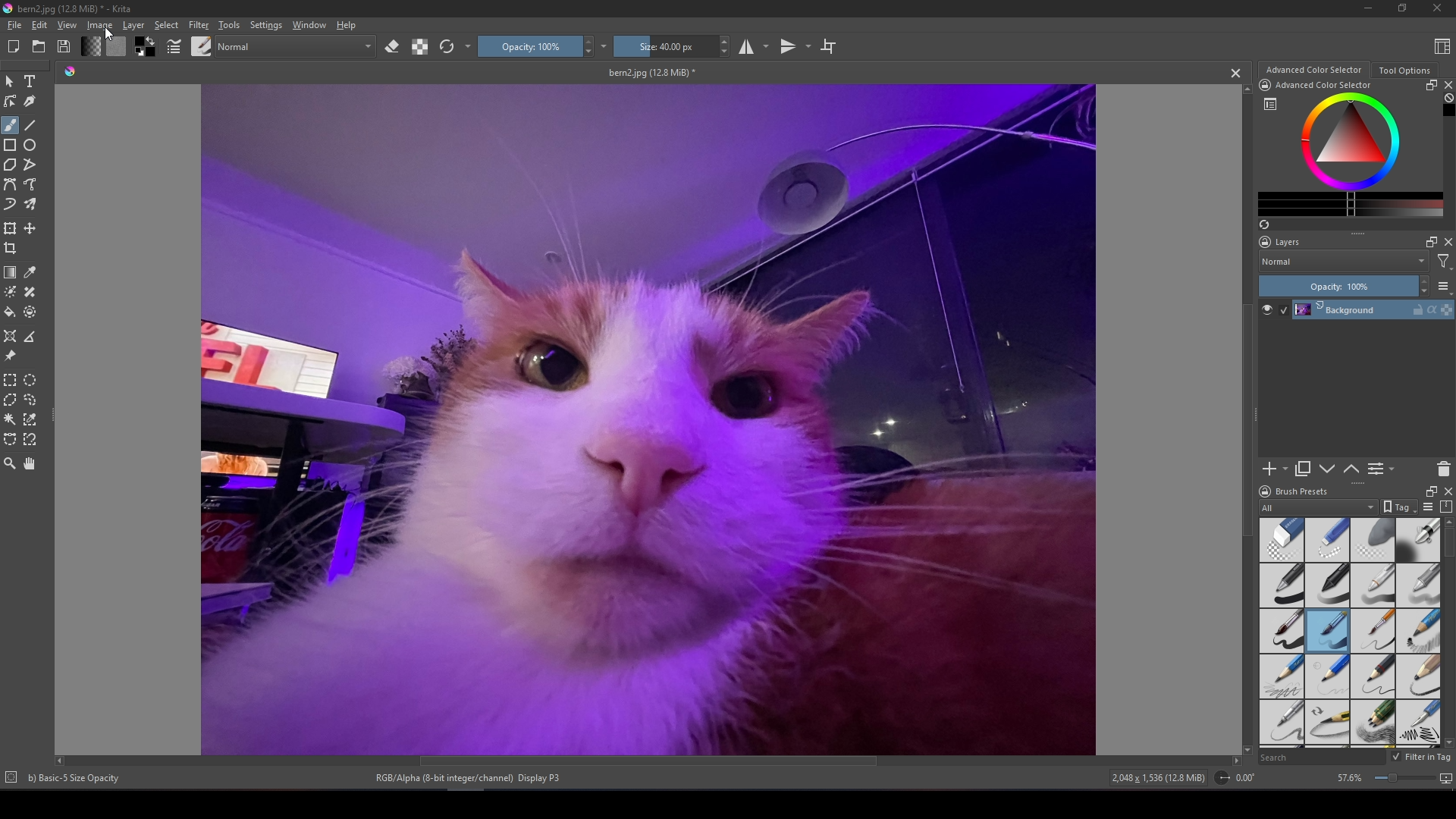  What do you see at coordinates (67, 25) in the screenshot?
I see `View` at bounding box center [67, 25].